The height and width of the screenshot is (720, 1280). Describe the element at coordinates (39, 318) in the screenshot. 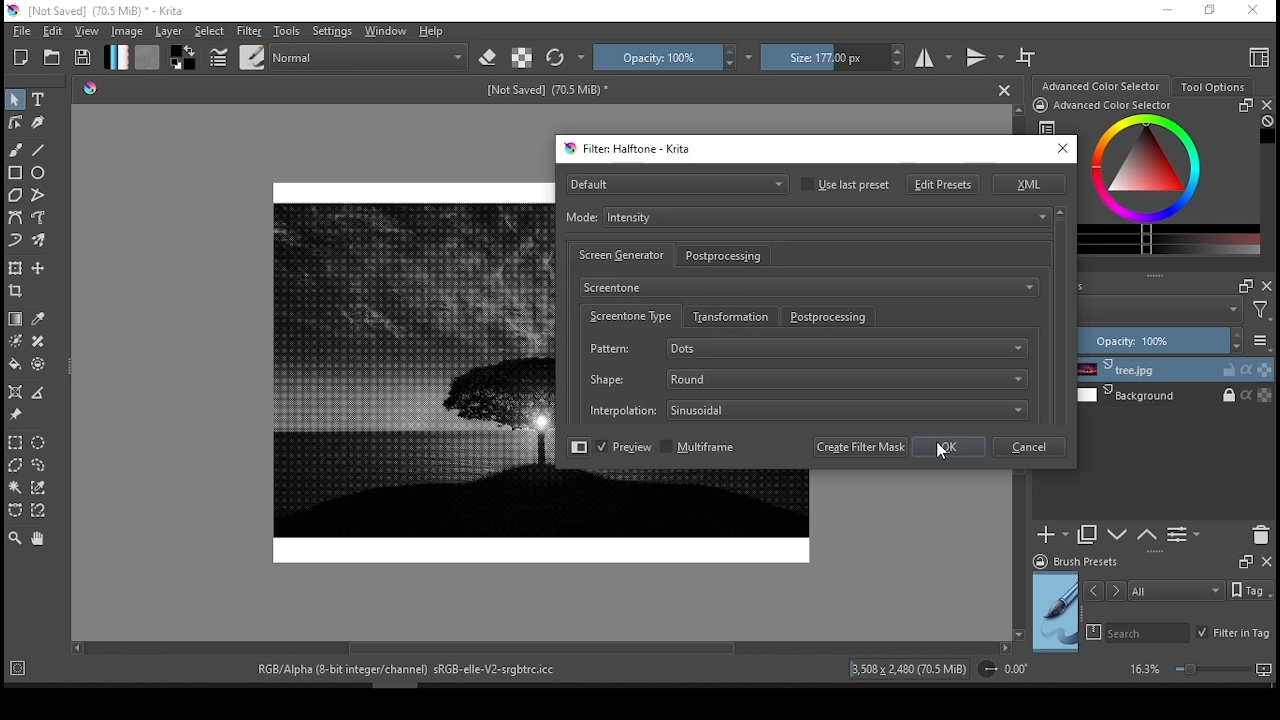

I see `sample color from current image or layer` at that location.